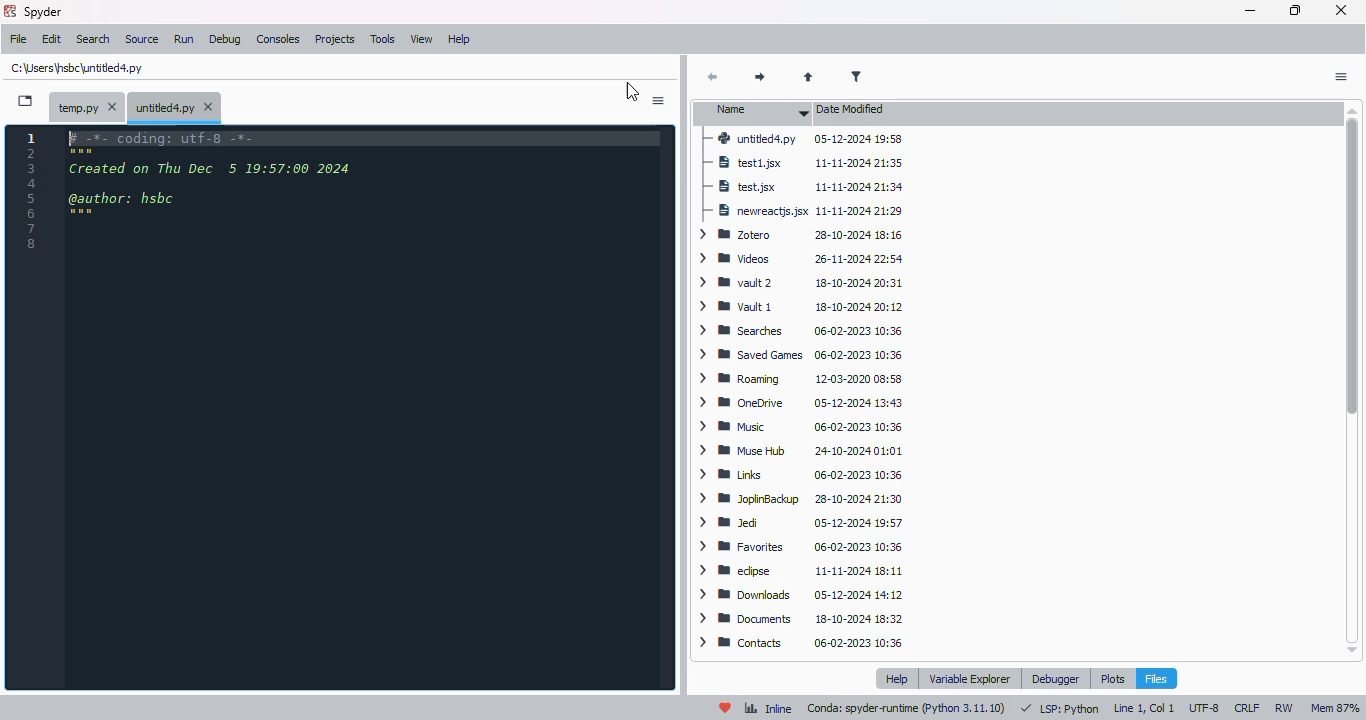  I want to click on CRLF, so click(1249, 707).